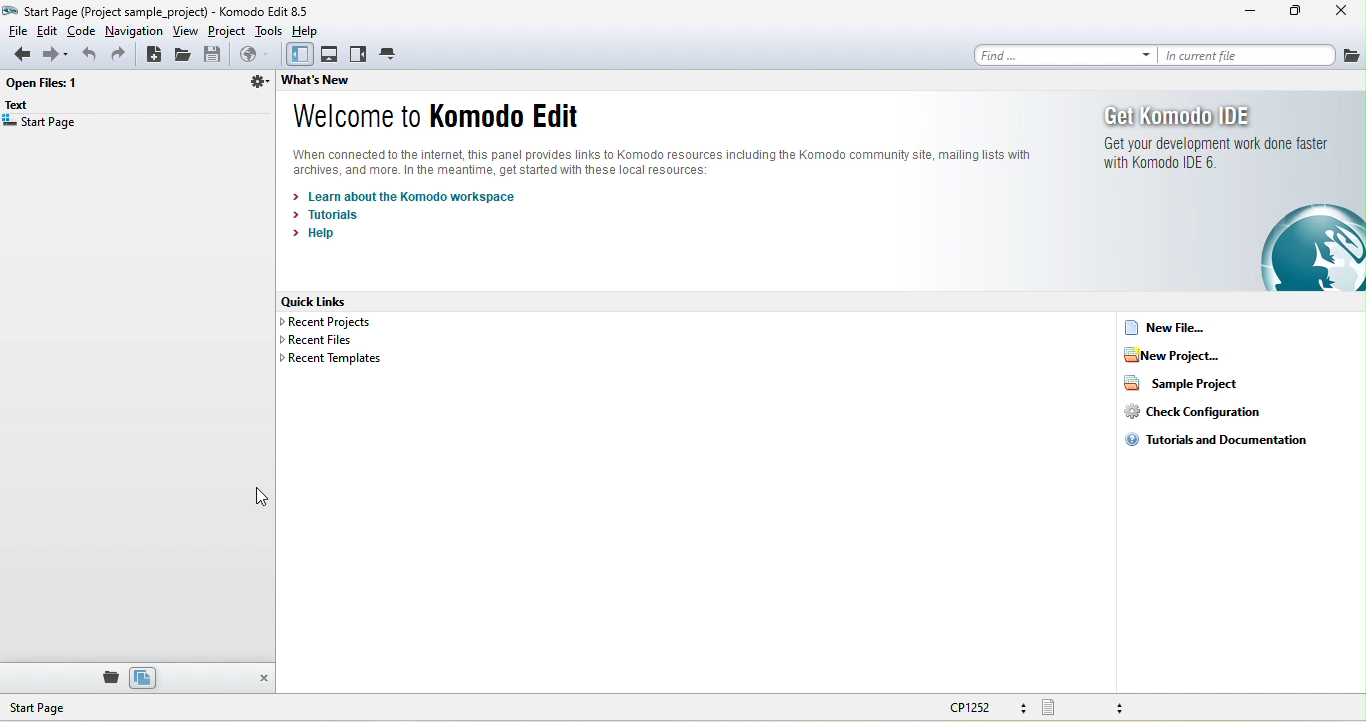 The image size is (1366, 722). What do you see at coordinates (74, 708) in the screenshot?
I see `start page` at bounding box center [74, 708].